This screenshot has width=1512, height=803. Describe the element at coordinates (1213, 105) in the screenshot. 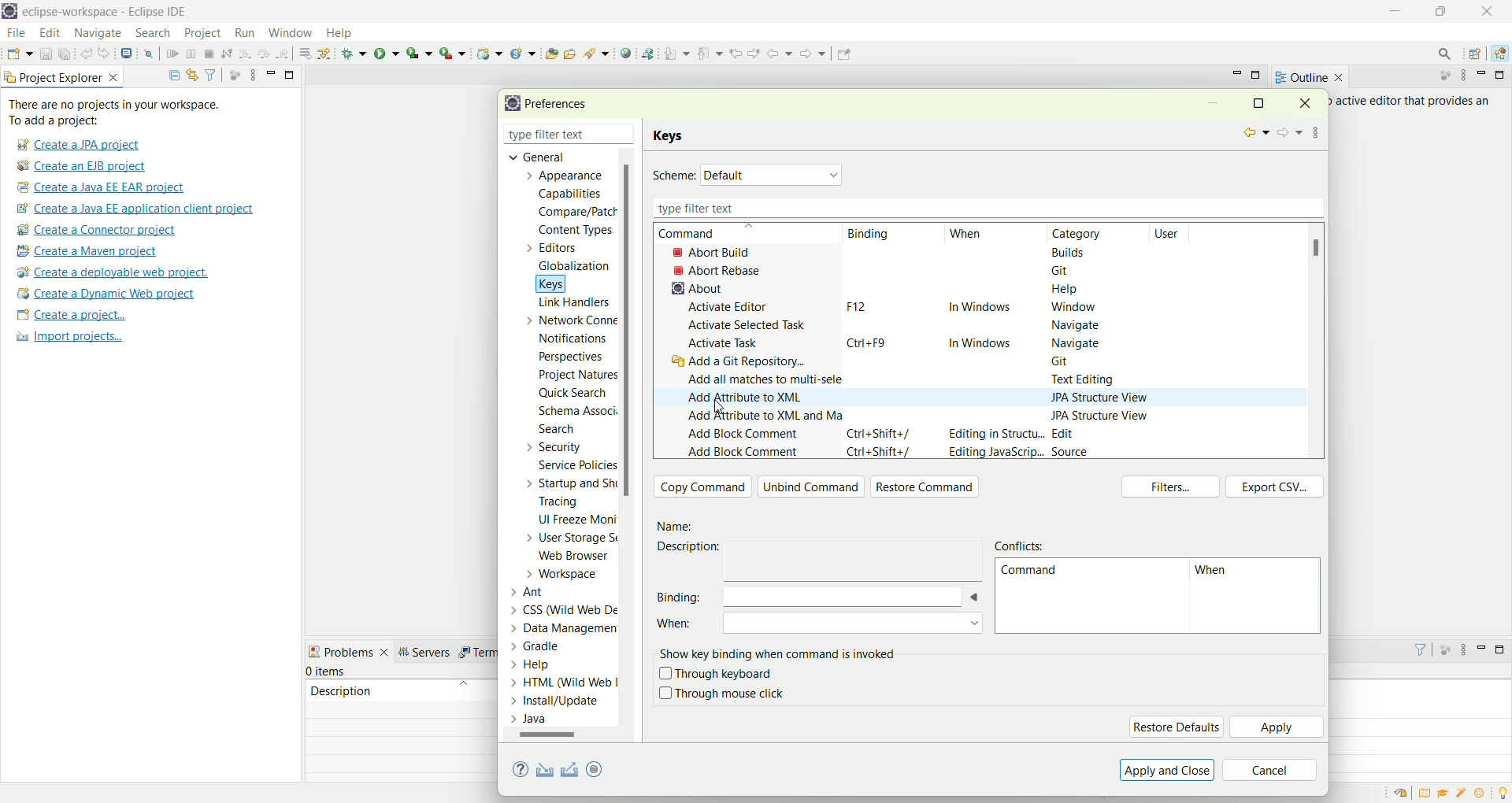

I see `minimize` at that location.